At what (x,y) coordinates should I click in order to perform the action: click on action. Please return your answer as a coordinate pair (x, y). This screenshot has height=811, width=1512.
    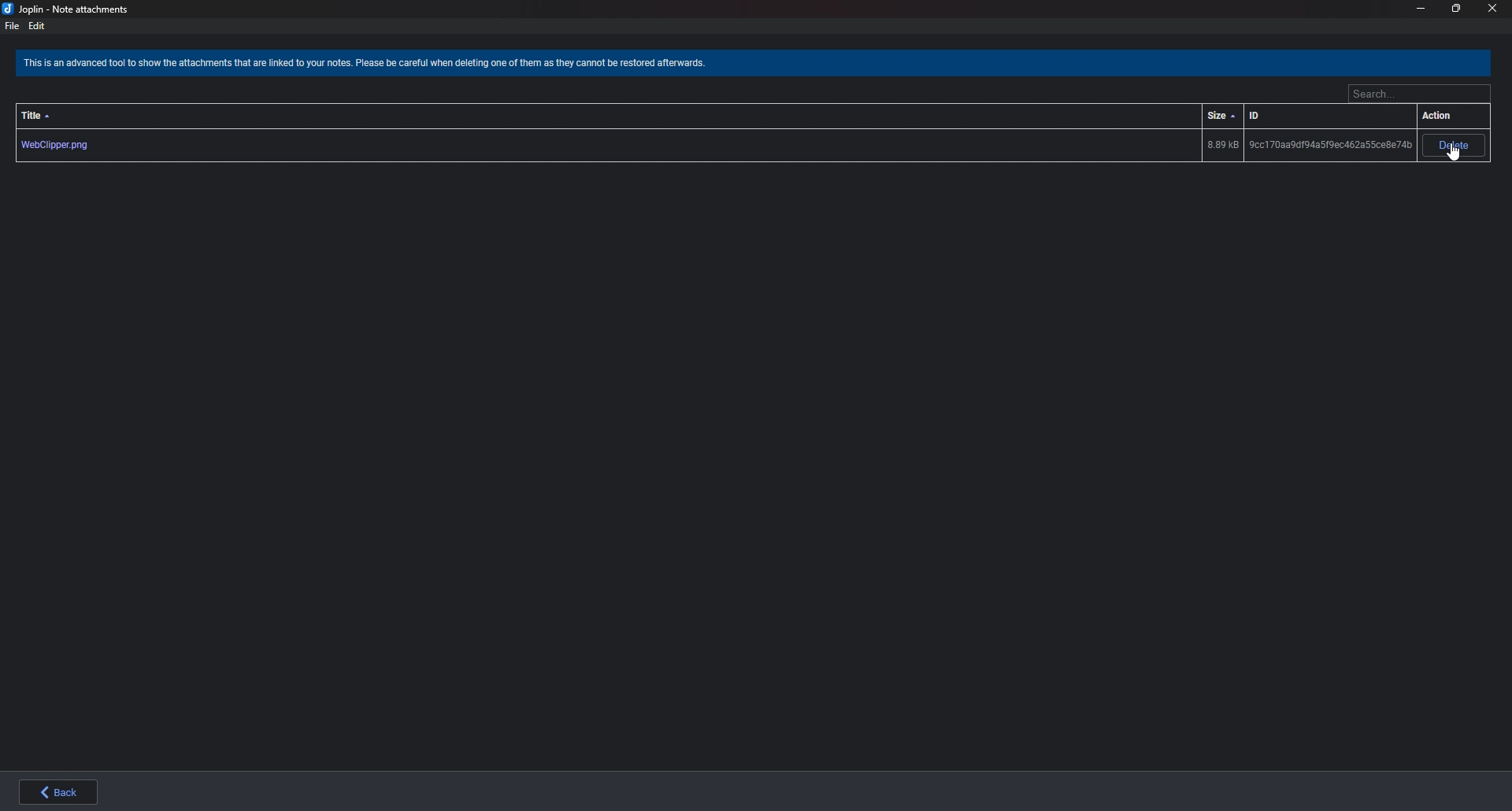
    Looking at the image, I should click on (1441, 117).